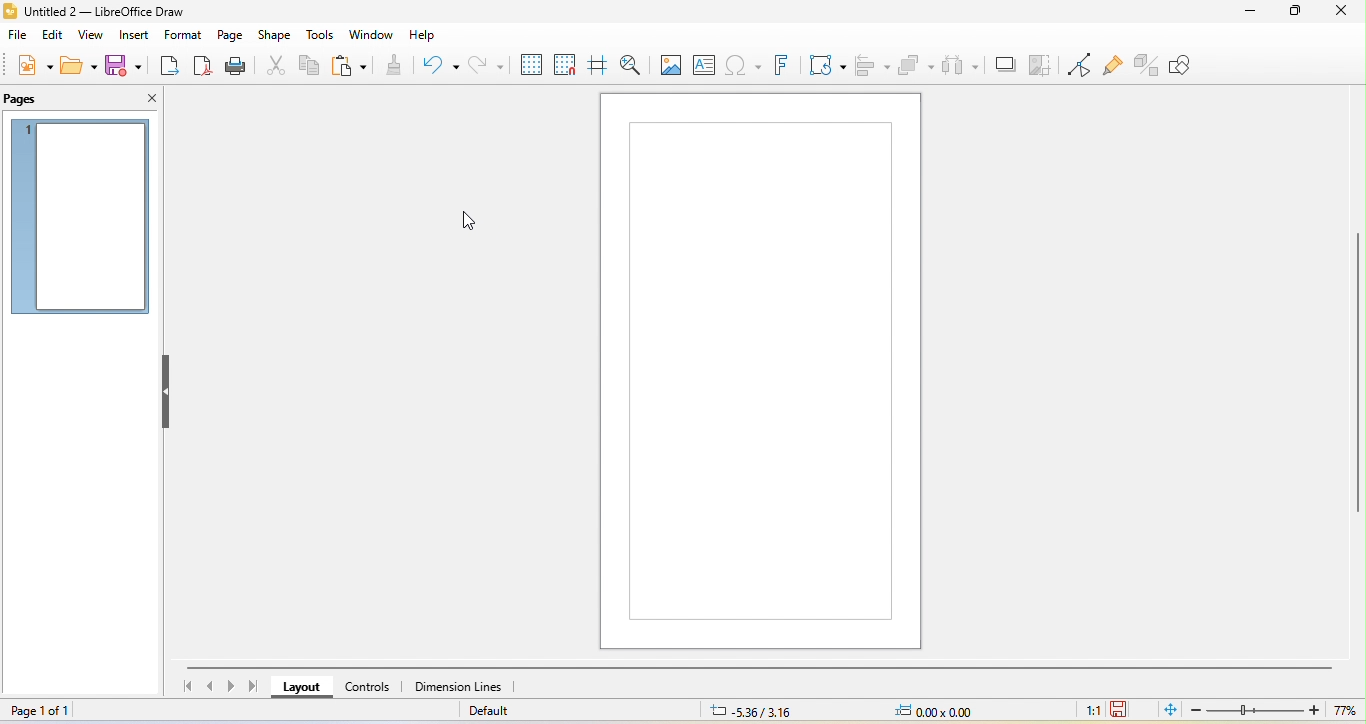  I want to click on vertical scroll bar, so click(1357, 380).